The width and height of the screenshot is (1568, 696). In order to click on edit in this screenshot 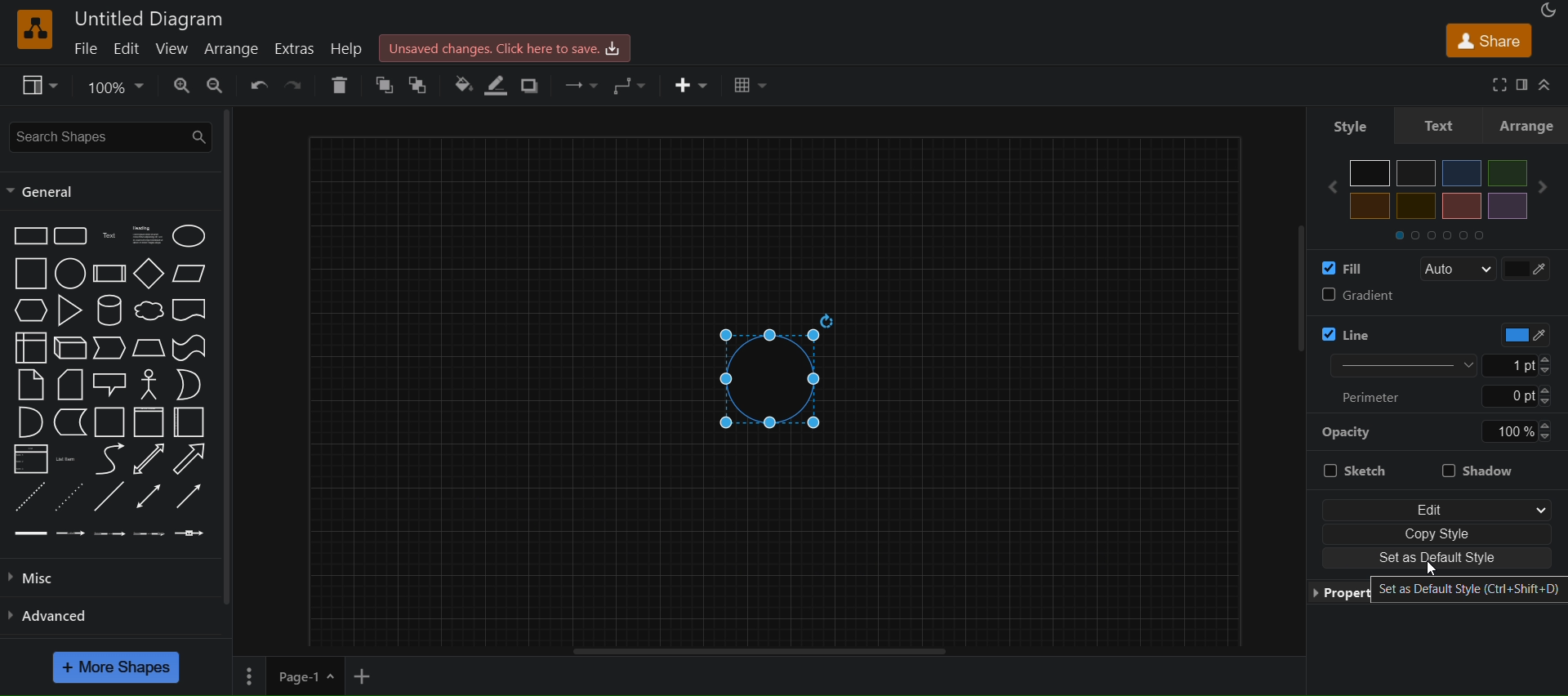, I will do `click(1436, 508)`.